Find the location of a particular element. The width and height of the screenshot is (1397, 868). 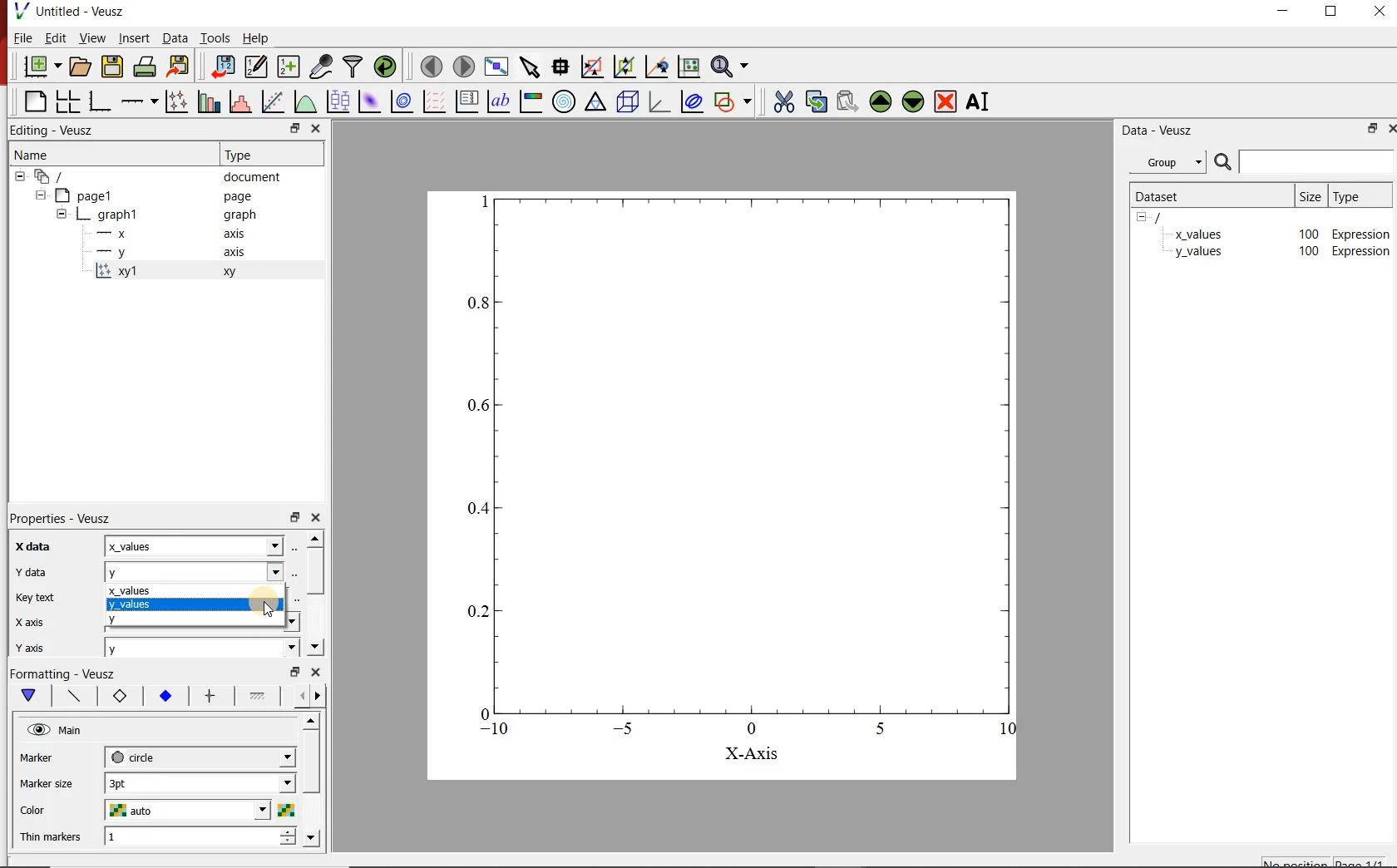

close is located at coordinates (1382, 13).